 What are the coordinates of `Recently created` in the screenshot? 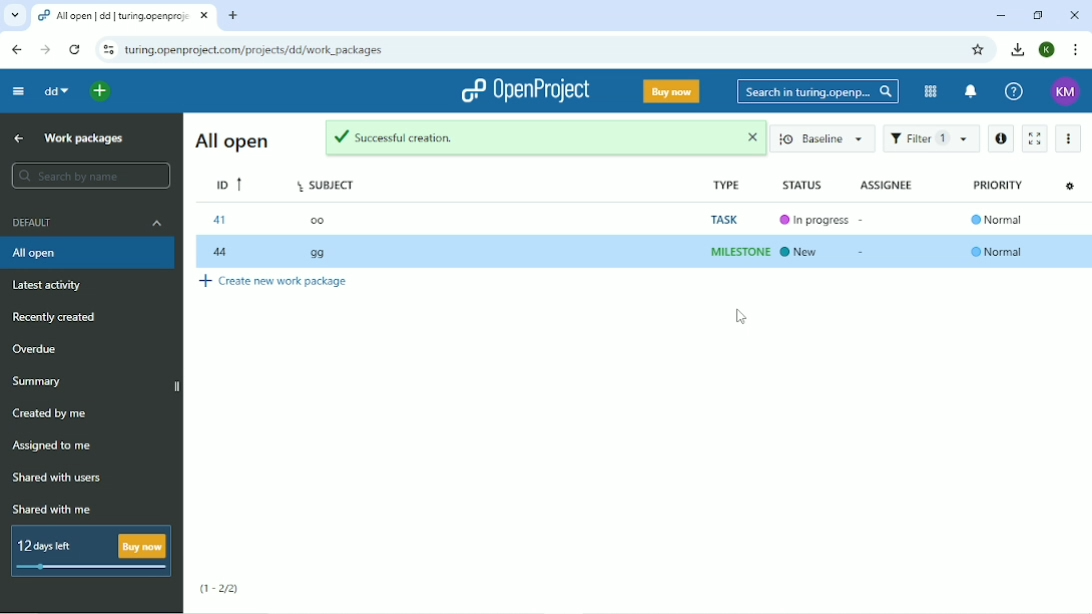 It's located at (62, 317).